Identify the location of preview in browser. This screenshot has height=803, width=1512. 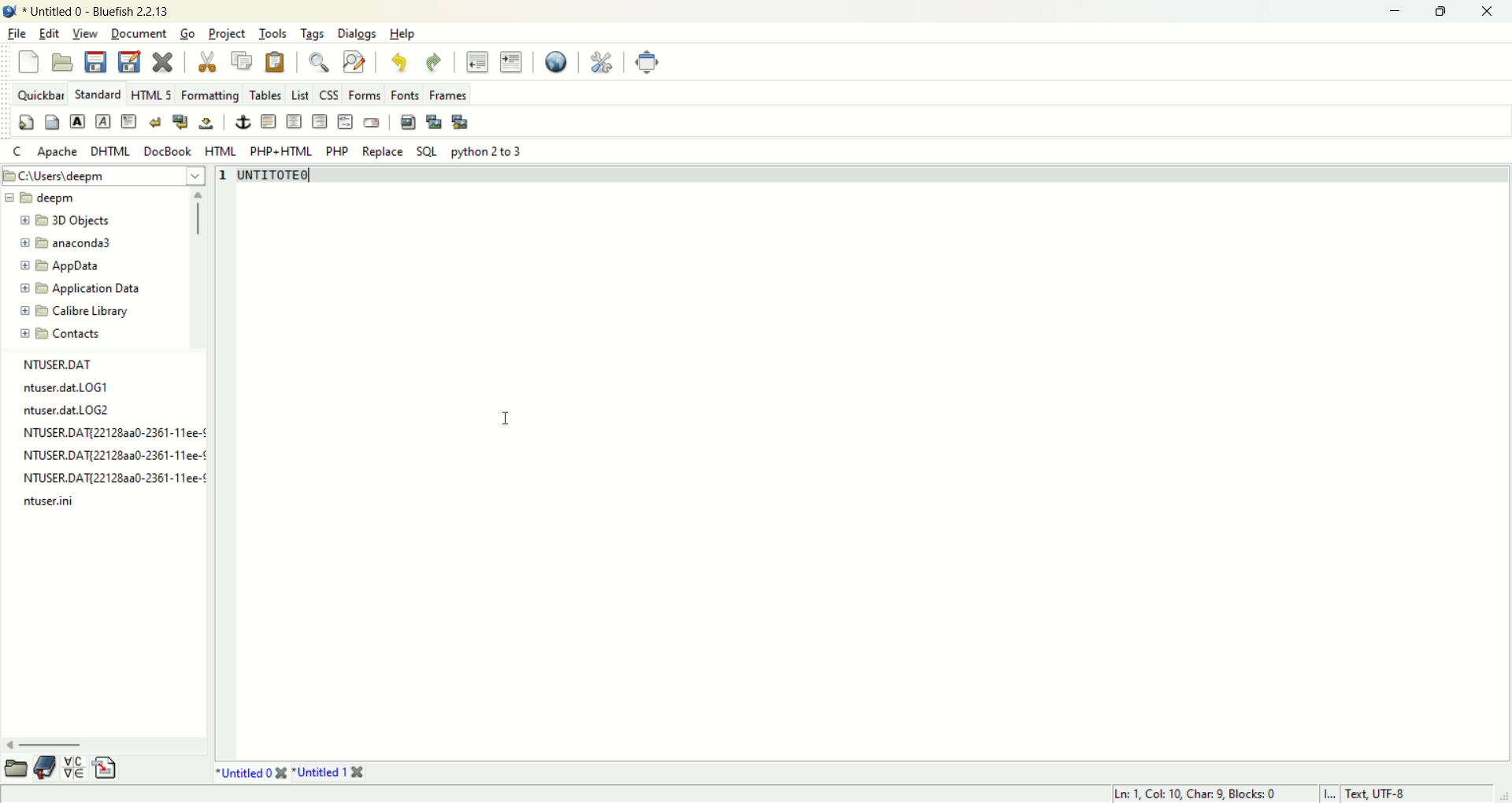
(555, 61).